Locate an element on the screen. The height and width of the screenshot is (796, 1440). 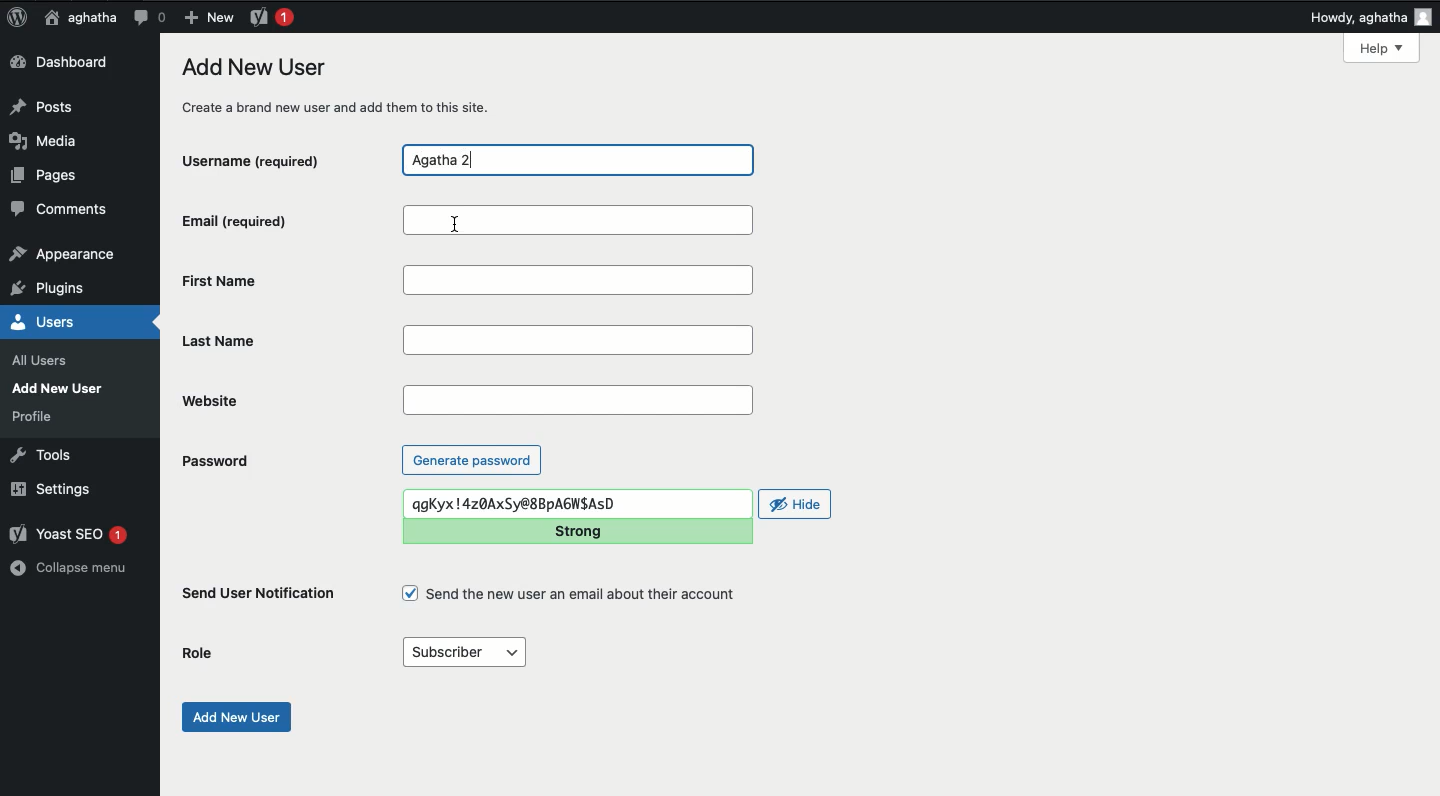
Users is located at coordinates (64, 322).